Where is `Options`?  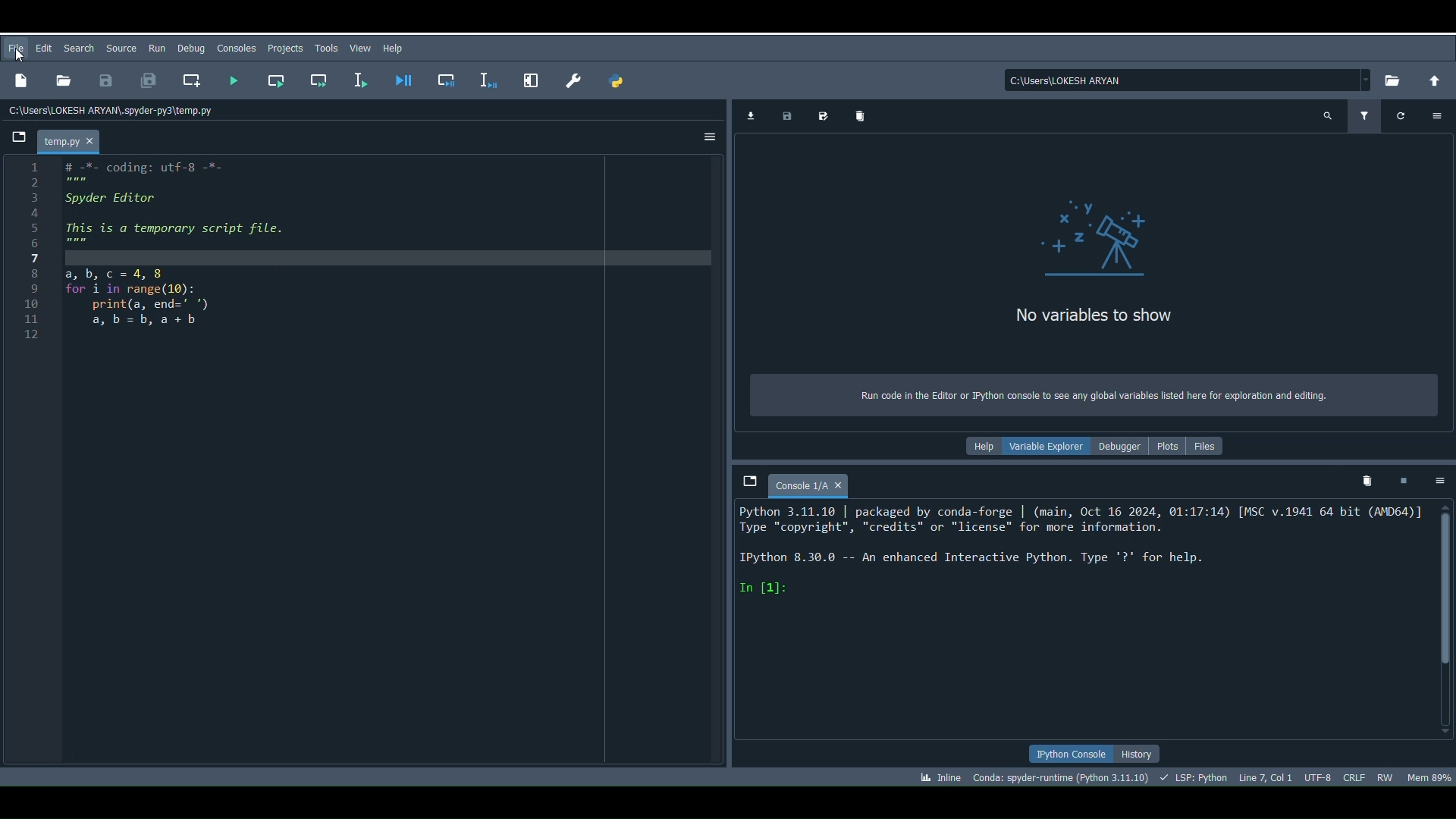 Options is located at coordinates (711, 135).